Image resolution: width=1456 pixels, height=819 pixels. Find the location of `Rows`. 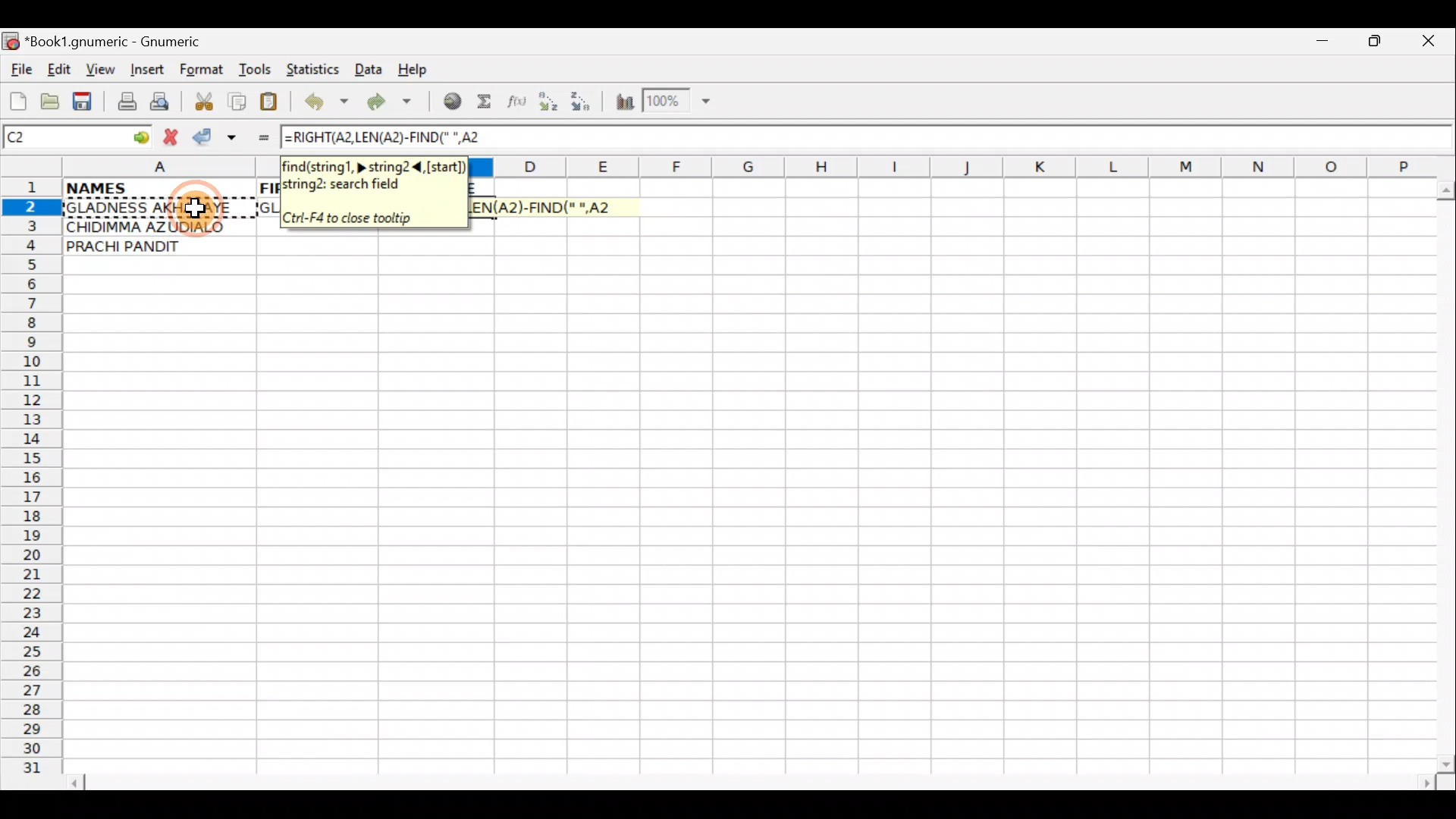

Rows is located at coordinates (32, 482).